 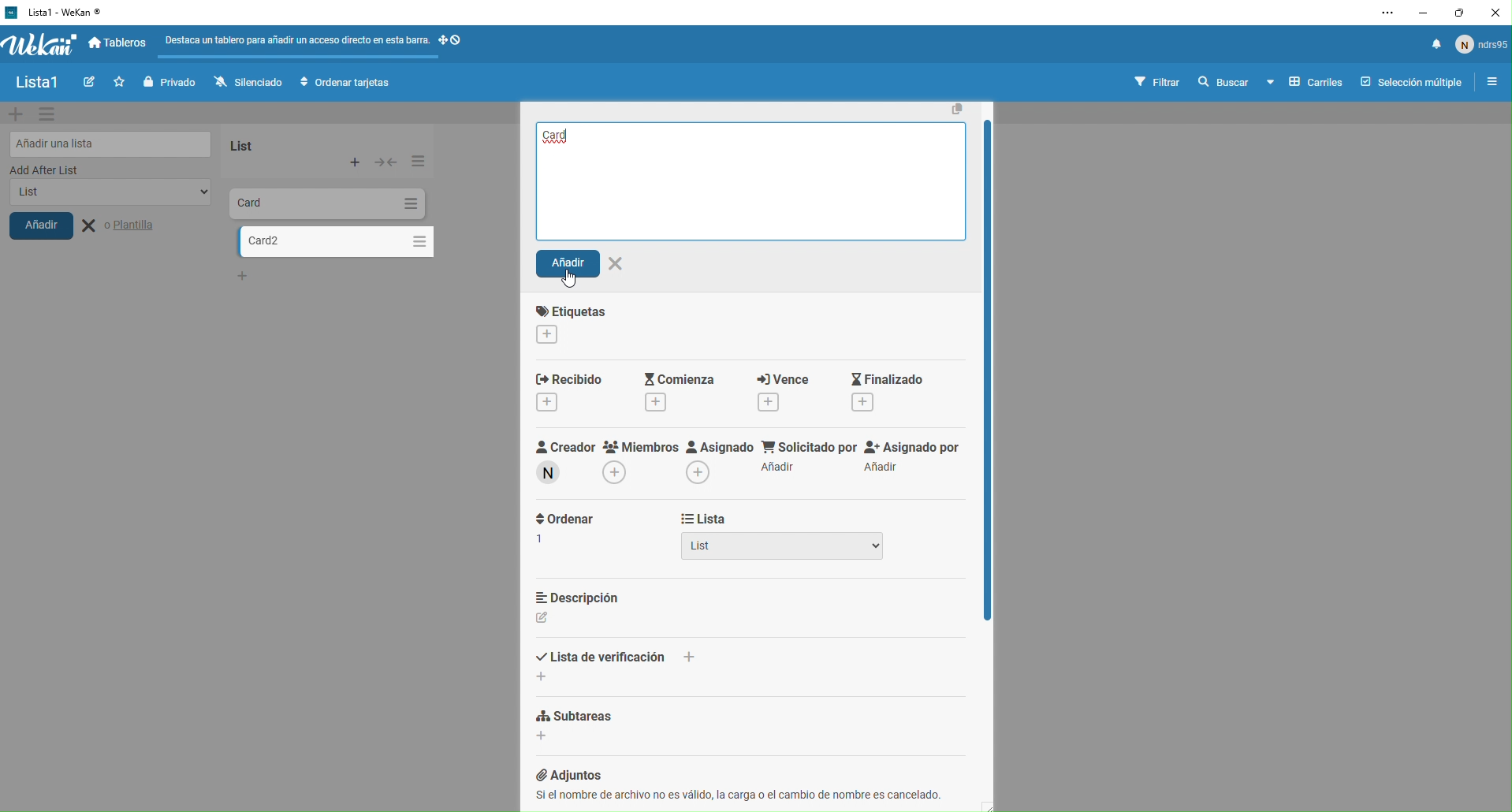 What do you see at coordinates (956, 109) in the screenshot?
I see `Copy` at bounding box center [956, 109].